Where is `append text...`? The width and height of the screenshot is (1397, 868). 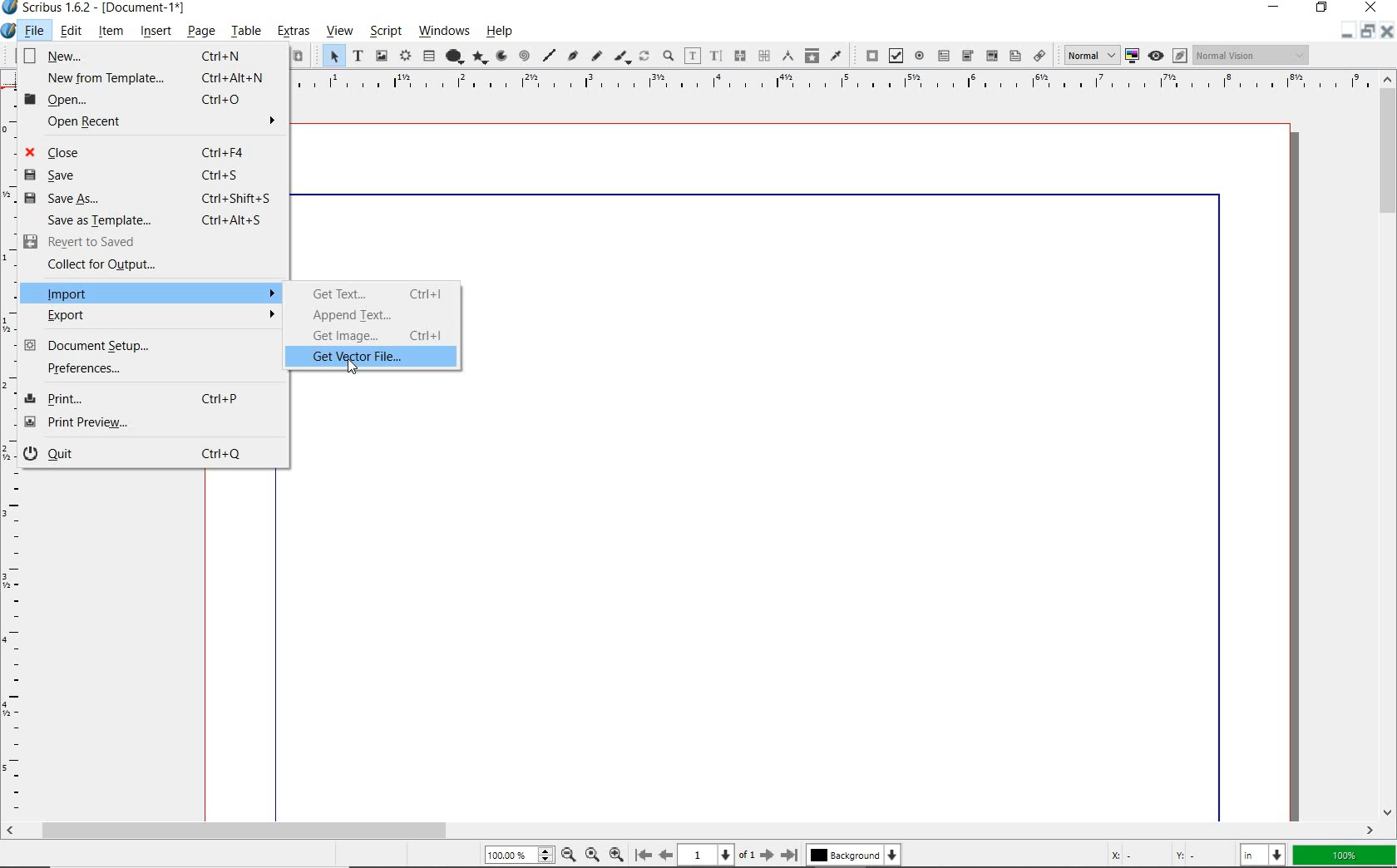
append text... is located at coordinates (374, 314).